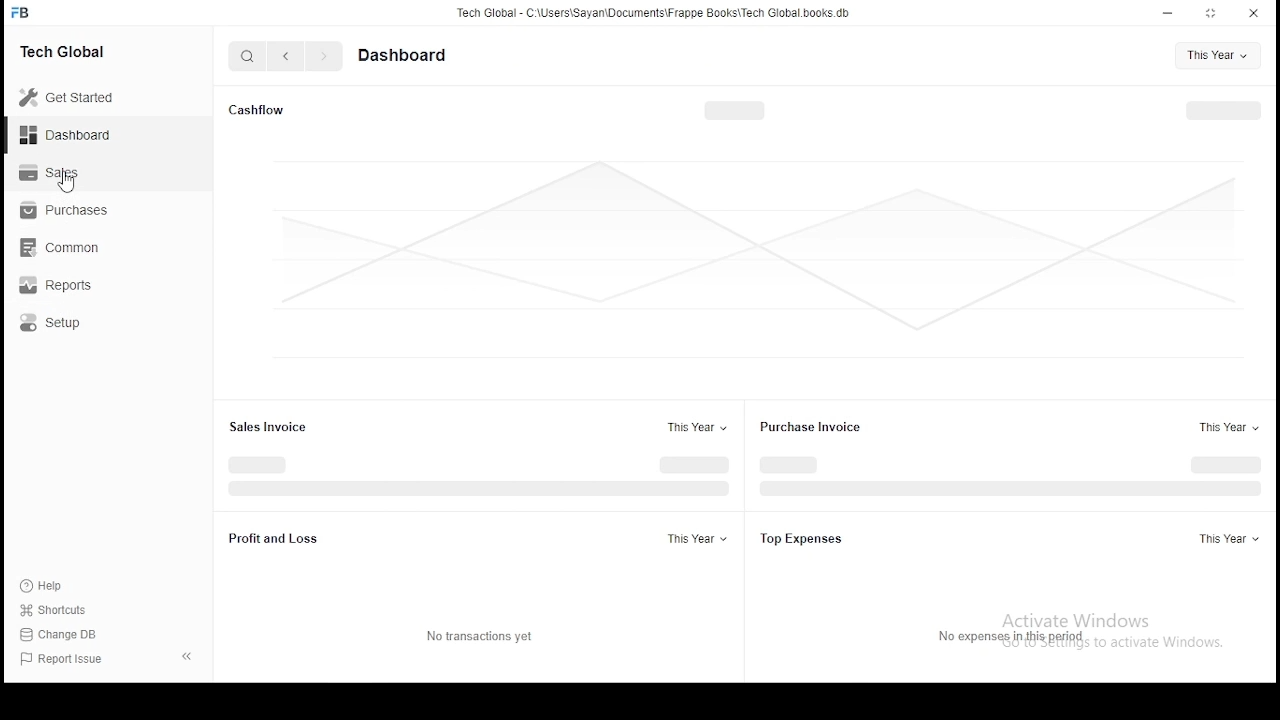 The width and height of the screenshot is (1280, 720). Describe the element at coordinates (276, 540) in the screenshot. I see `profit and loss` at that location.